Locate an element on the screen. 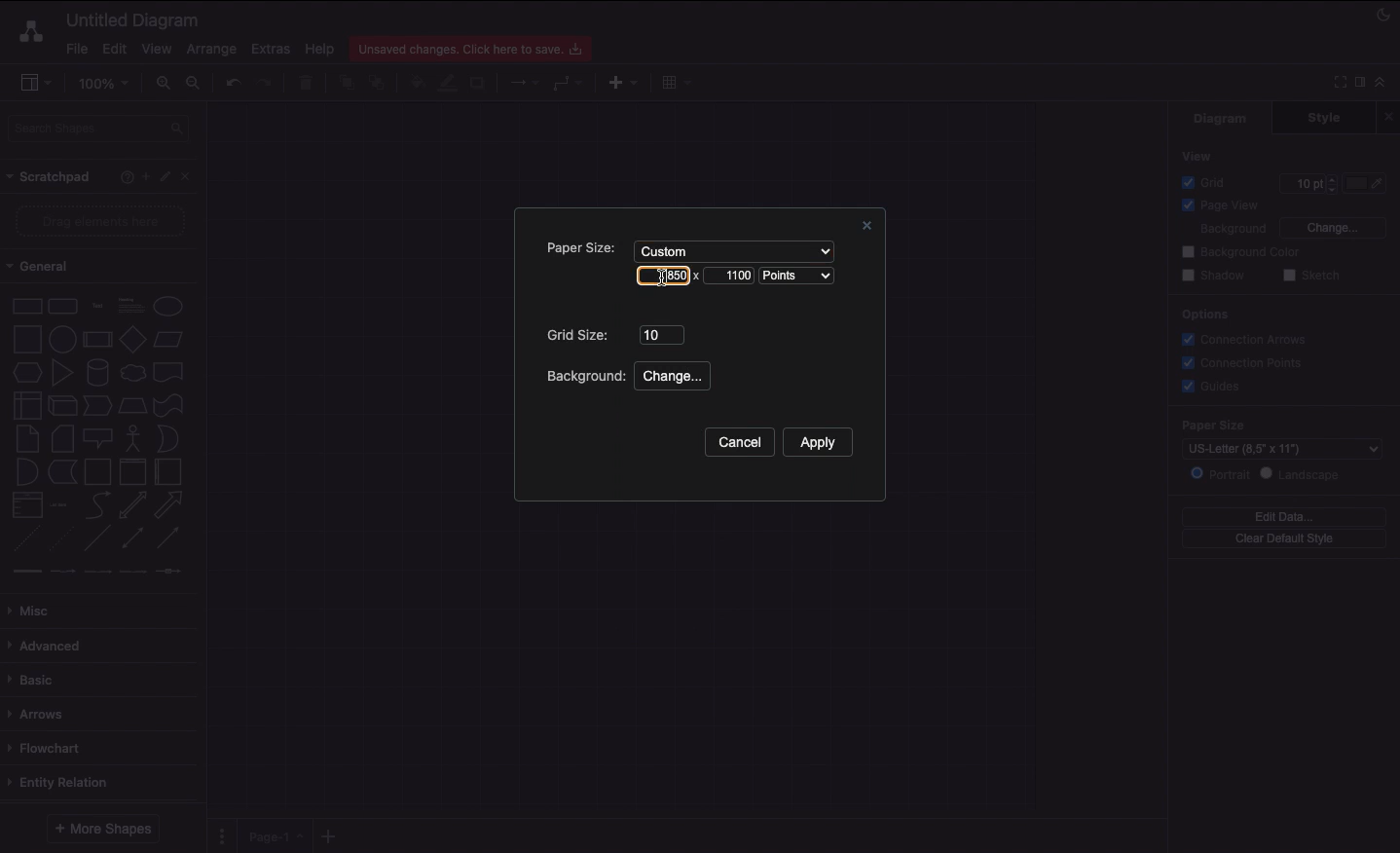 The width and height of the screenshot is (1400, 853). To front is located at coordinates (346, 83).